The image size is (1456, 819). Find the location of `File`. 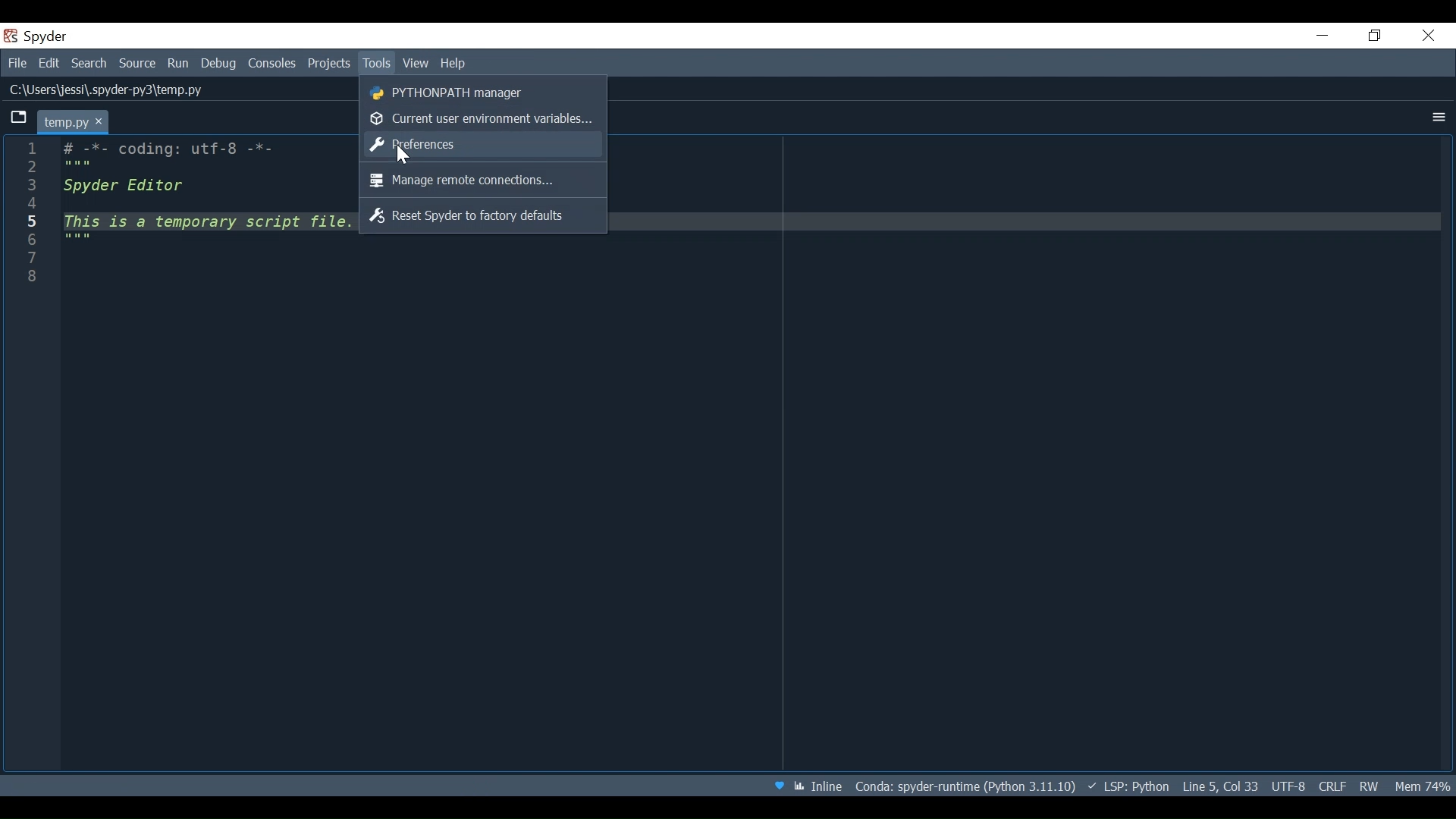

File is located at coordinates (17, 64).